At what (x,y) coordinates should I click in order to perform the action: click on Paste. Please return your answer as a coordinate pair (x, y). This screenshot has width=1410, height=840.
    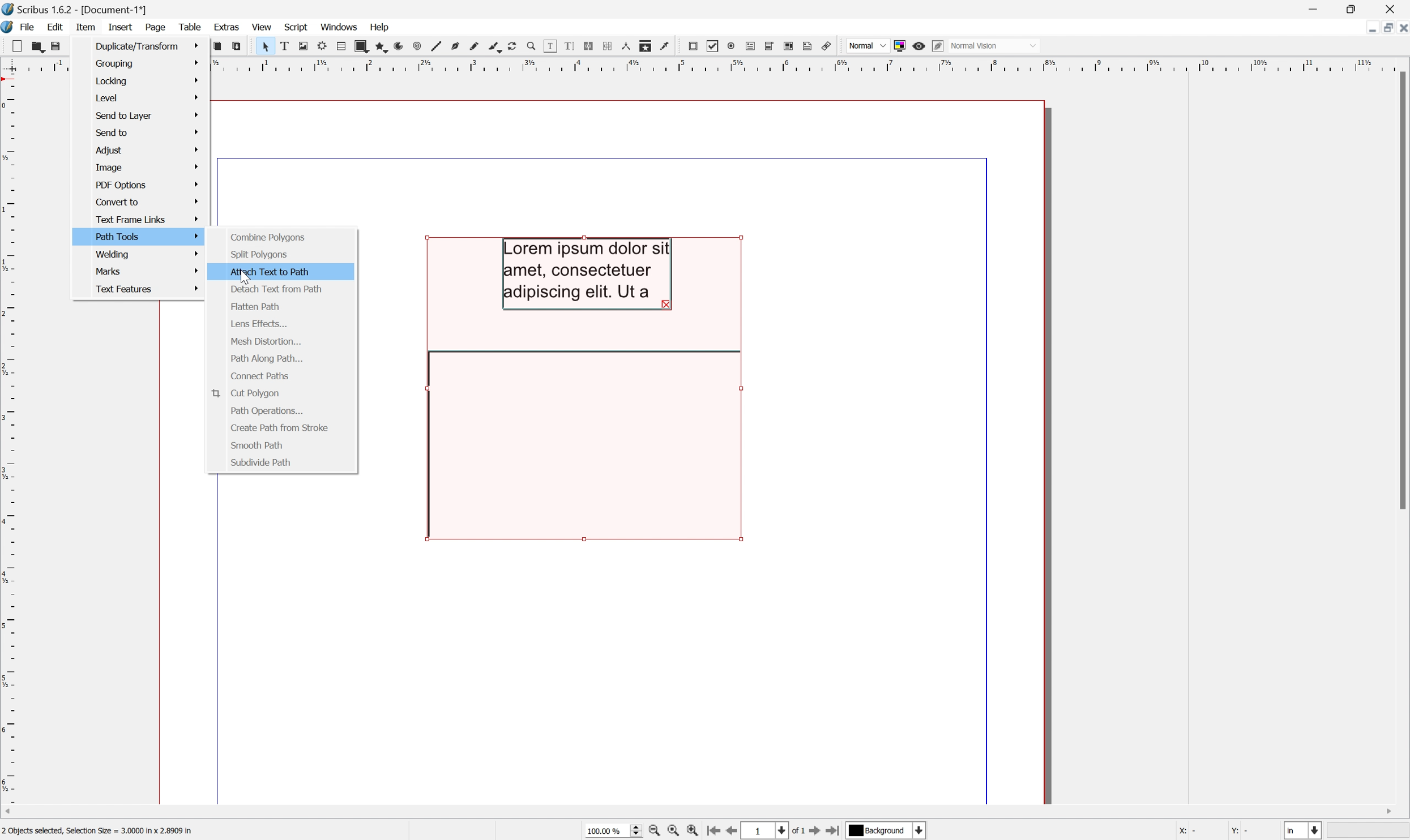
    Looking at the image, I should click on (237, 46).